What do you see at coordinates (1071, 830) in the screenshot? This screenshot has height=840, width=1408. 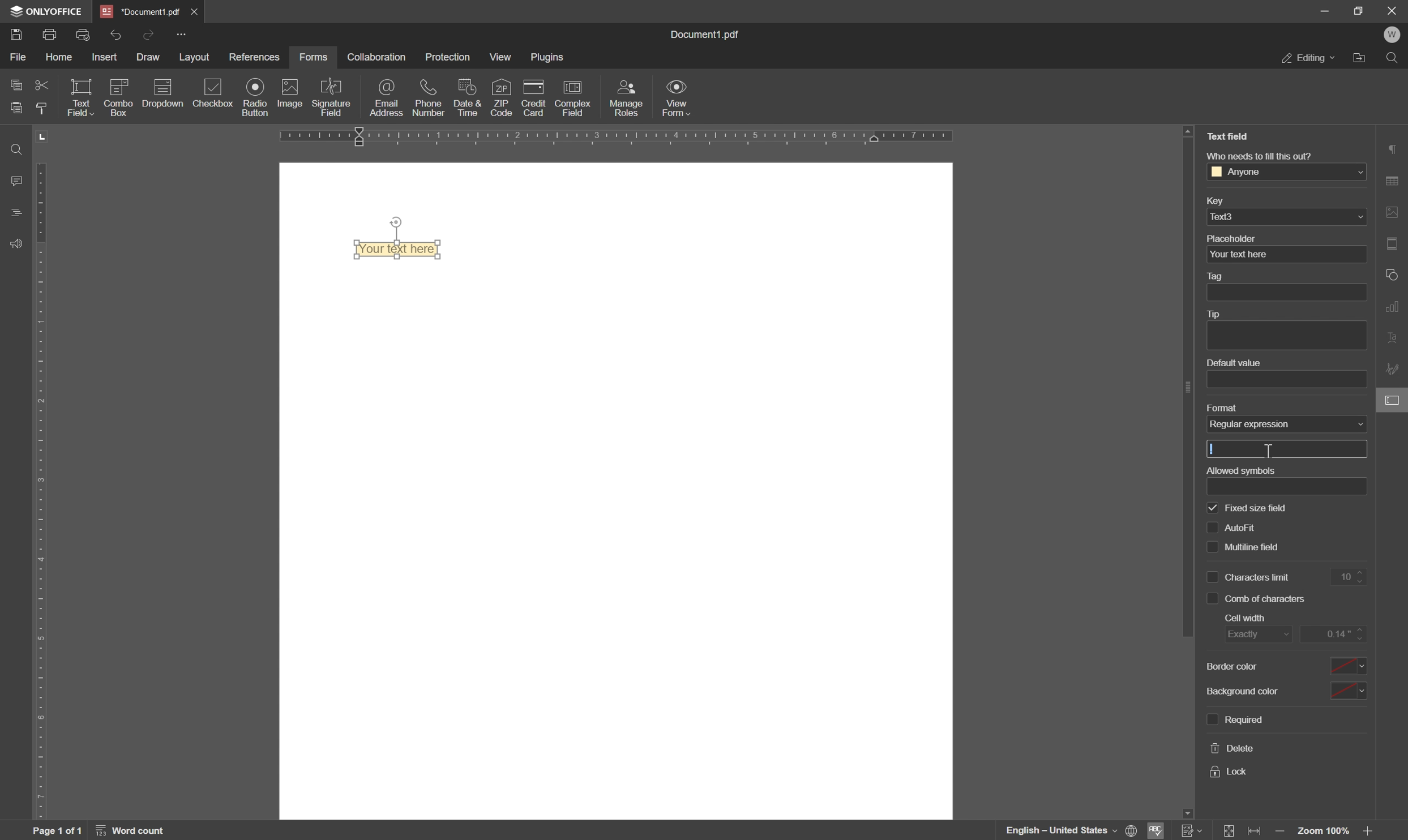 I see `set document language` at bounding box center [1071, 830].